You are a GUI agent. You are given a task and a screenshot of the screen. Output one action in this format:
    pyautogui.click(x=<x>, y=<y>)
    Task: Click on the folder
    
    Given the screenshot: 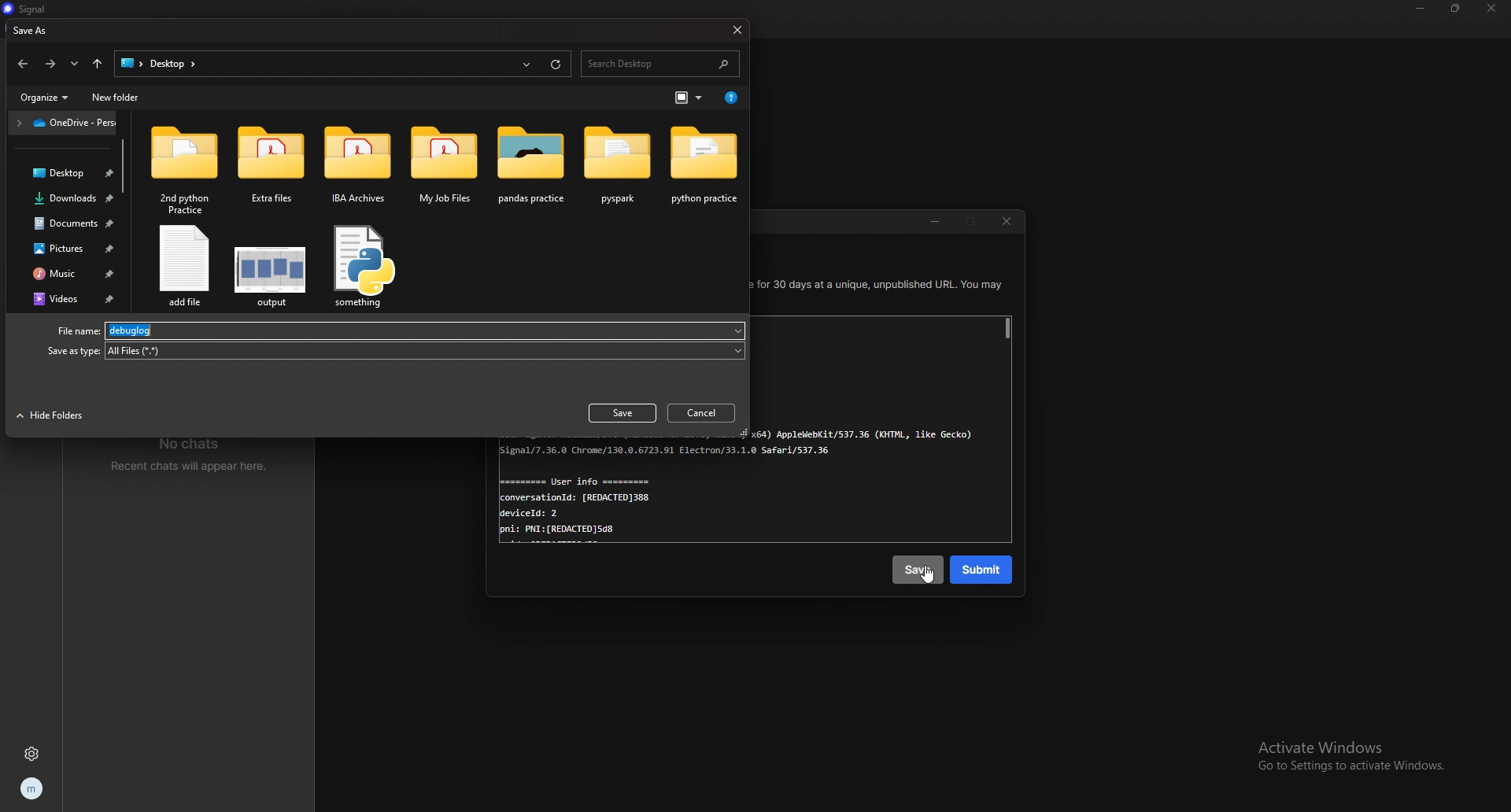 What is the action you would take?
    pyautogui.click(x=621, y=165)
    